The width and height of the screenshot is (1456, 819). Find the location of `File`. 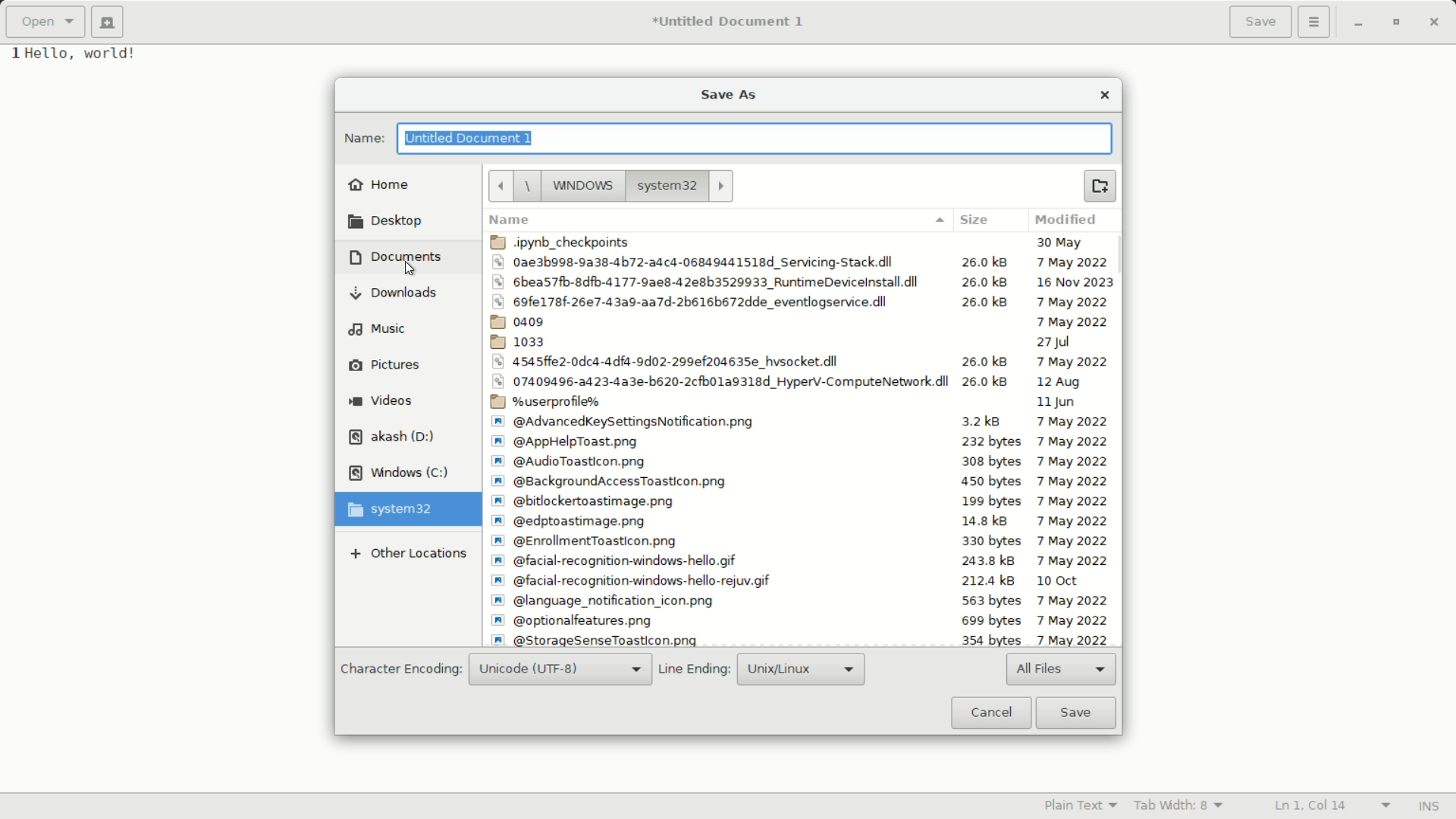

File is located at coordinates (803, 301).